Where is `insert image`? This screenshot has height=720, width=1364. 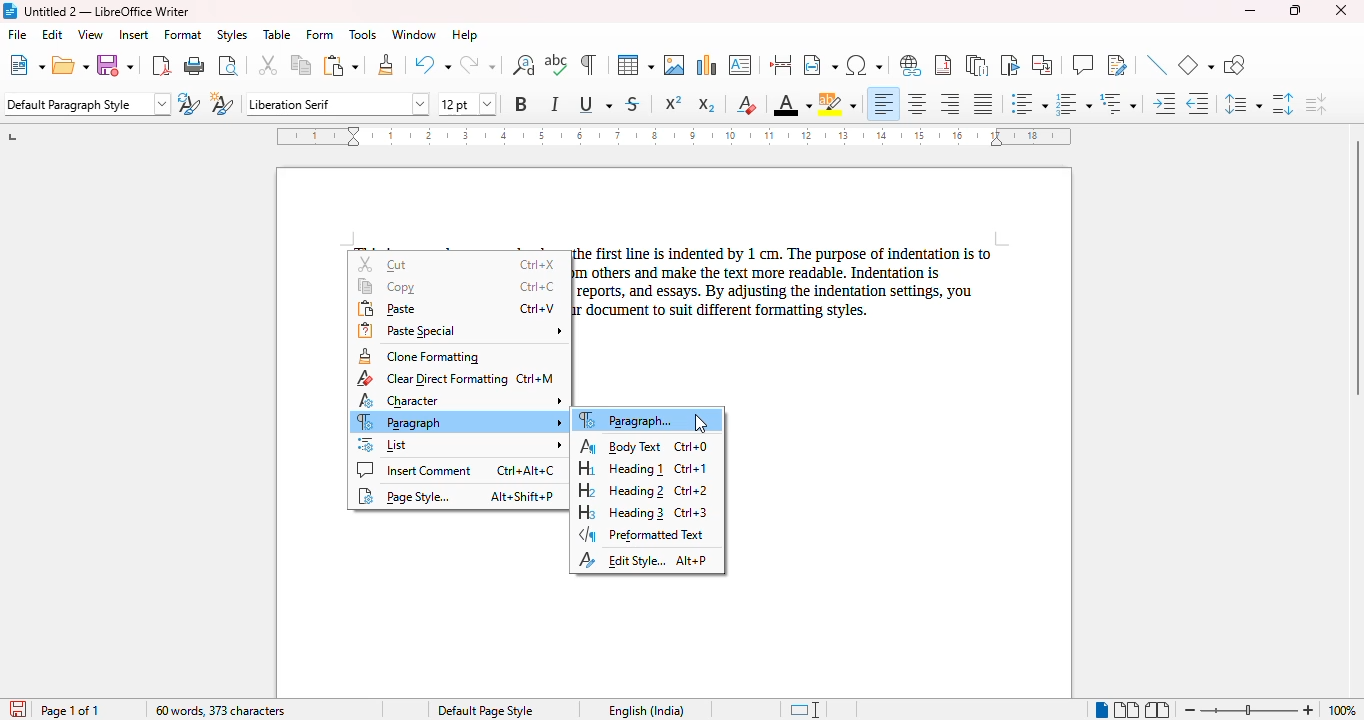 insert image is located at coordinates (674, 65).